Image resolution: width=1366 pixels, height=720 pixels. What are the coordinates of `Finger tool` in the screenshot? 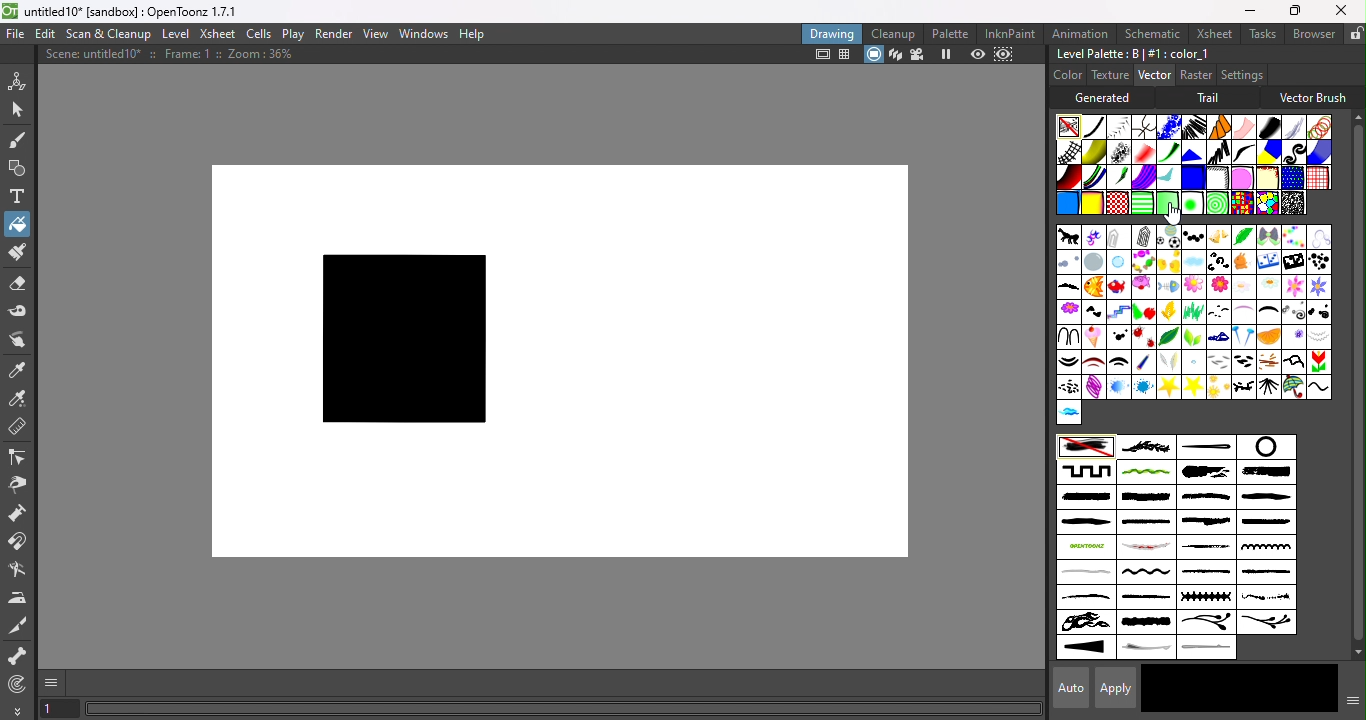 It's located at (22, 341).